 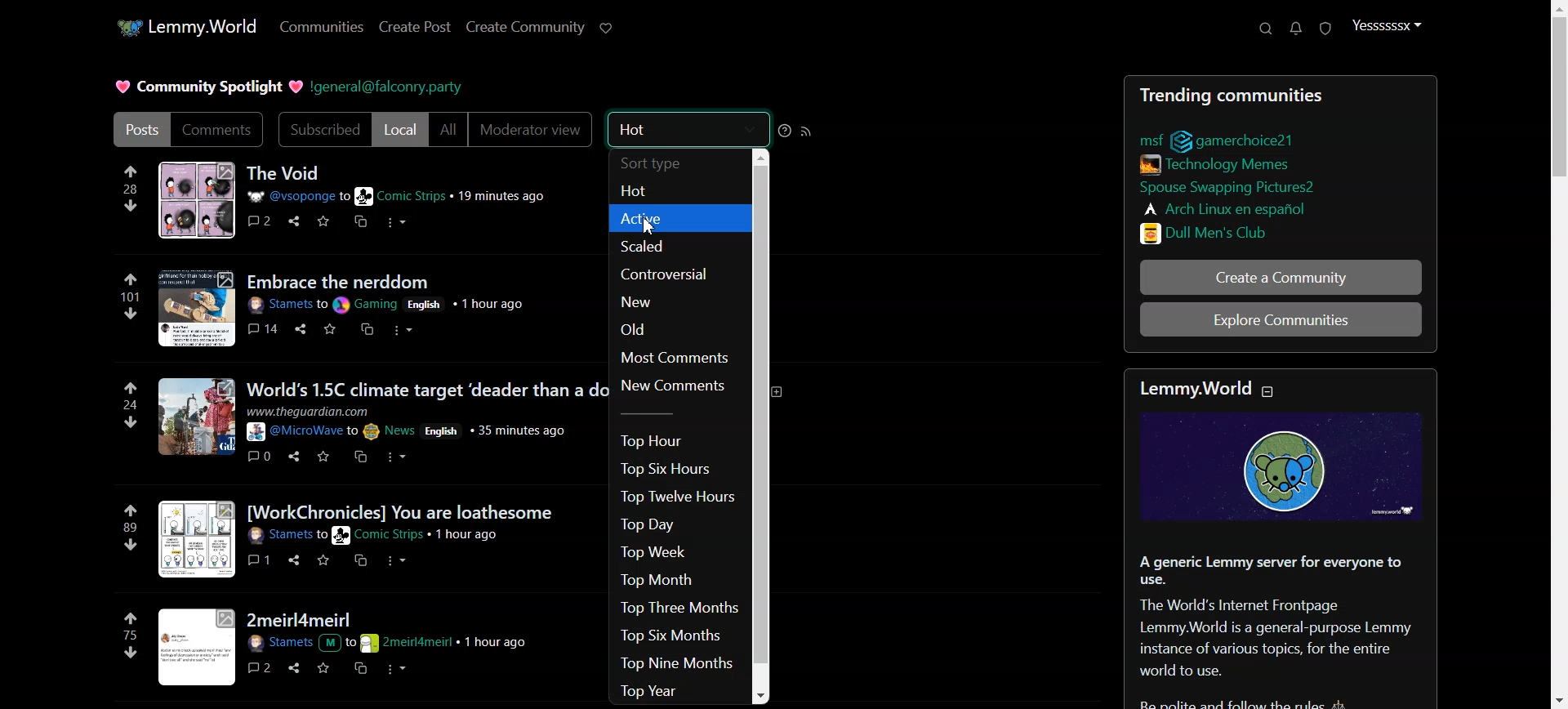 What do you see at coordinates (1282, 628) in the screenshot?
I see `Text` at bounding box center [1282, 628].